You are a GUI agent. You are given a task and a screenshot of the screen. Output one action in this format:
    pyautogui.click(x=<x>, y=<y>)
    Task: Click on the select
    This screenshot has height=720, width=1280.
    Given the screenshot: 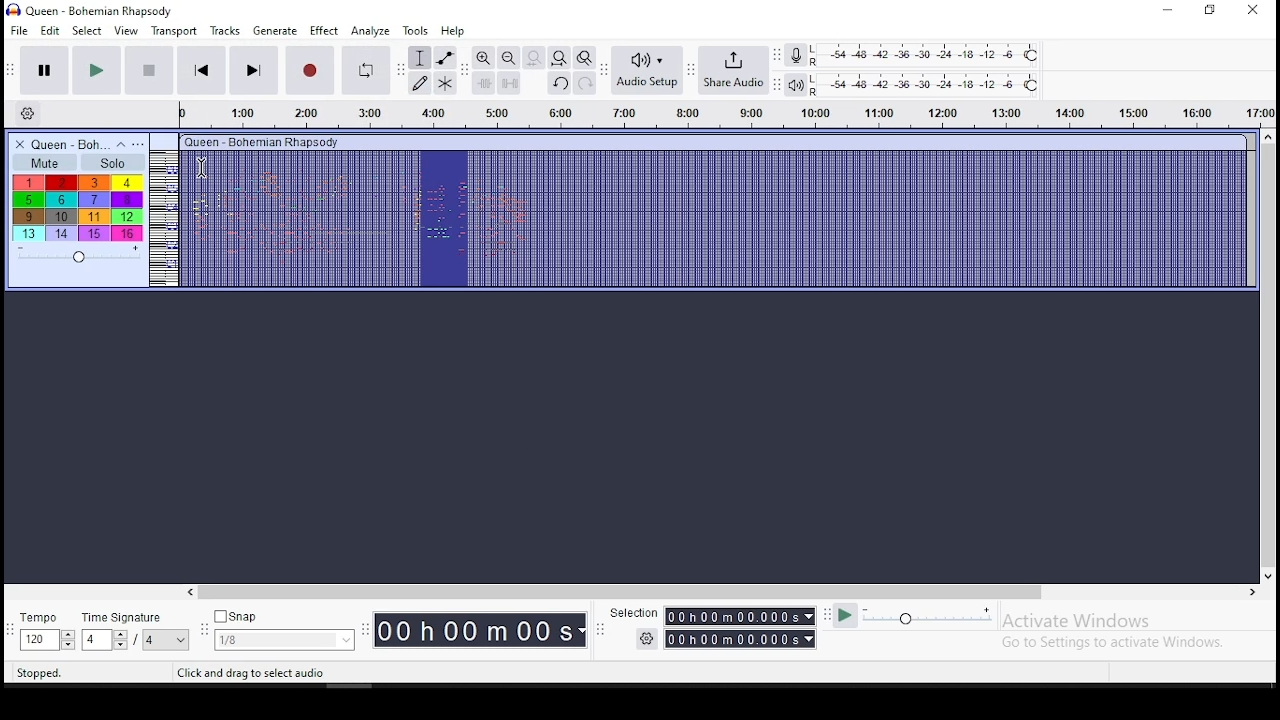 What is the action you would take?
    pyautogui.click(x=87, y=32)
    